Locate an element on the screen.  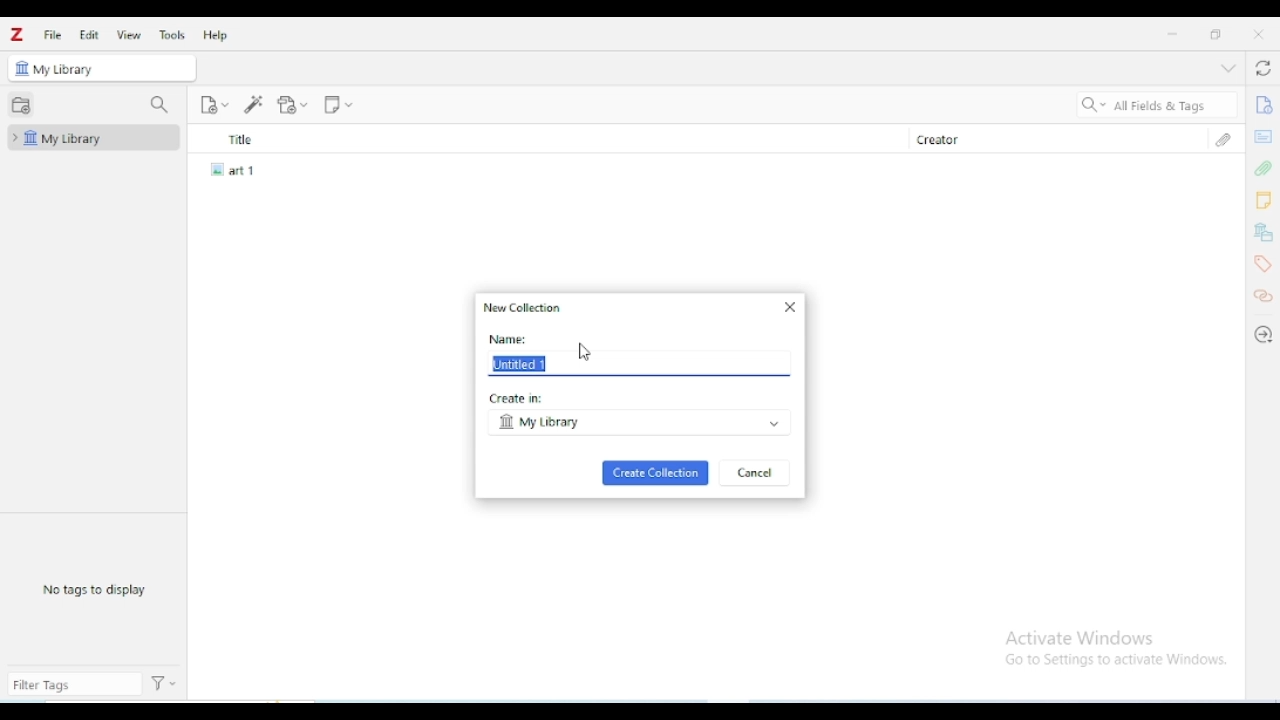
cursor is located at coordinates (587, 351).